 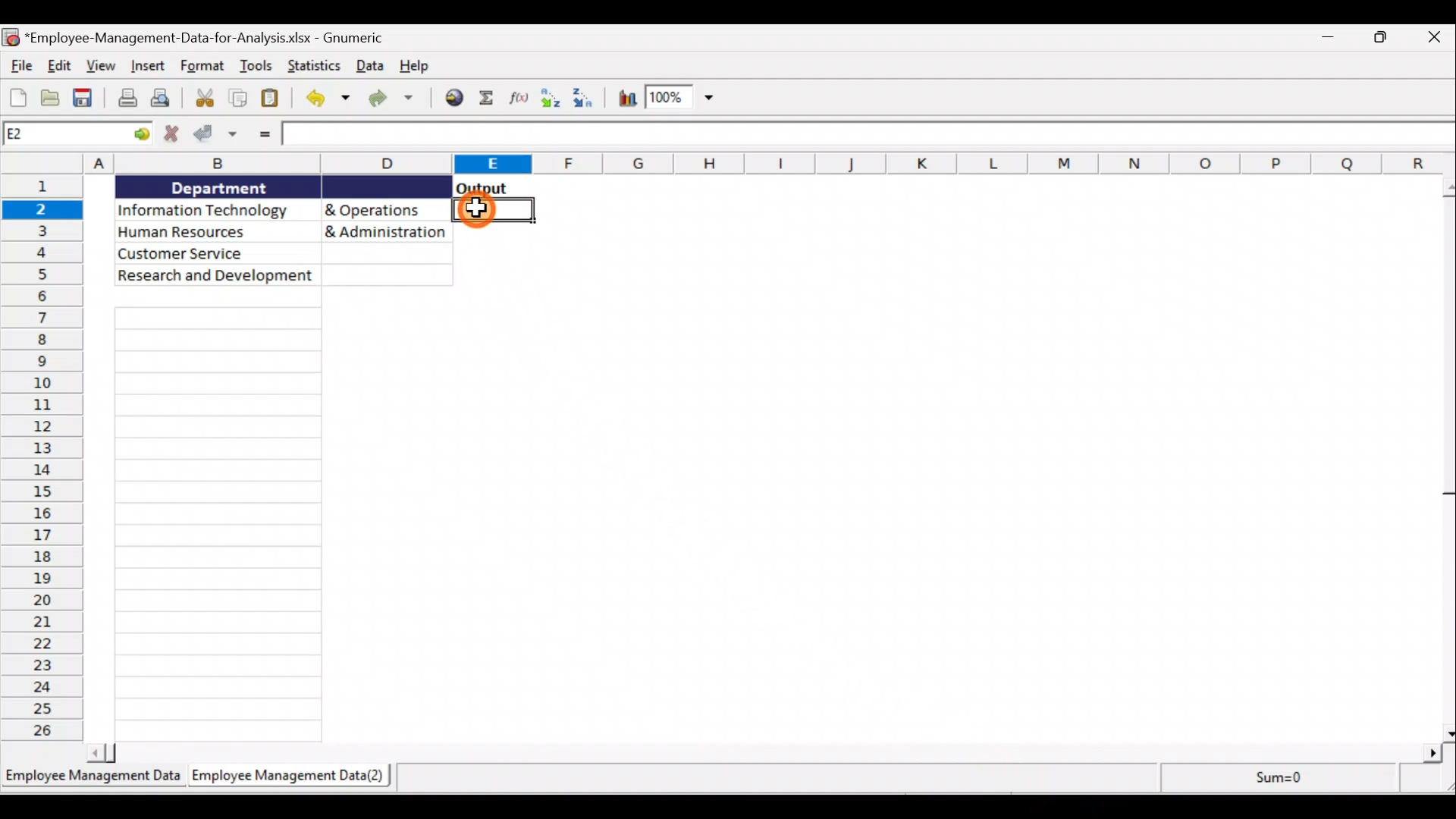 I want to click on Print preview, so click(x=167, y=97).